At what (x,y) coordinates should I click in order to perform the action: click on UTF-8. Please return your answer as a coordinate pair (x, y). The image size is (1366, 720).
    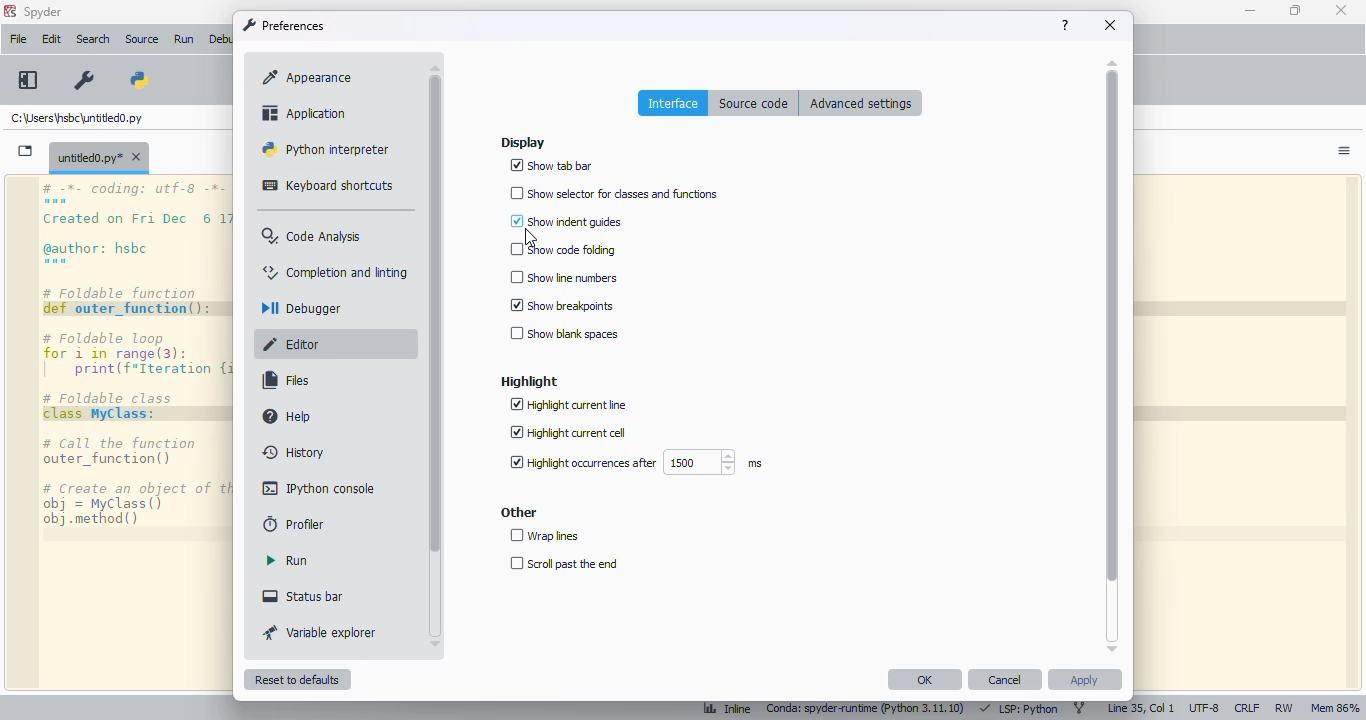
    Looking at the image, I should click on (1205, 708).